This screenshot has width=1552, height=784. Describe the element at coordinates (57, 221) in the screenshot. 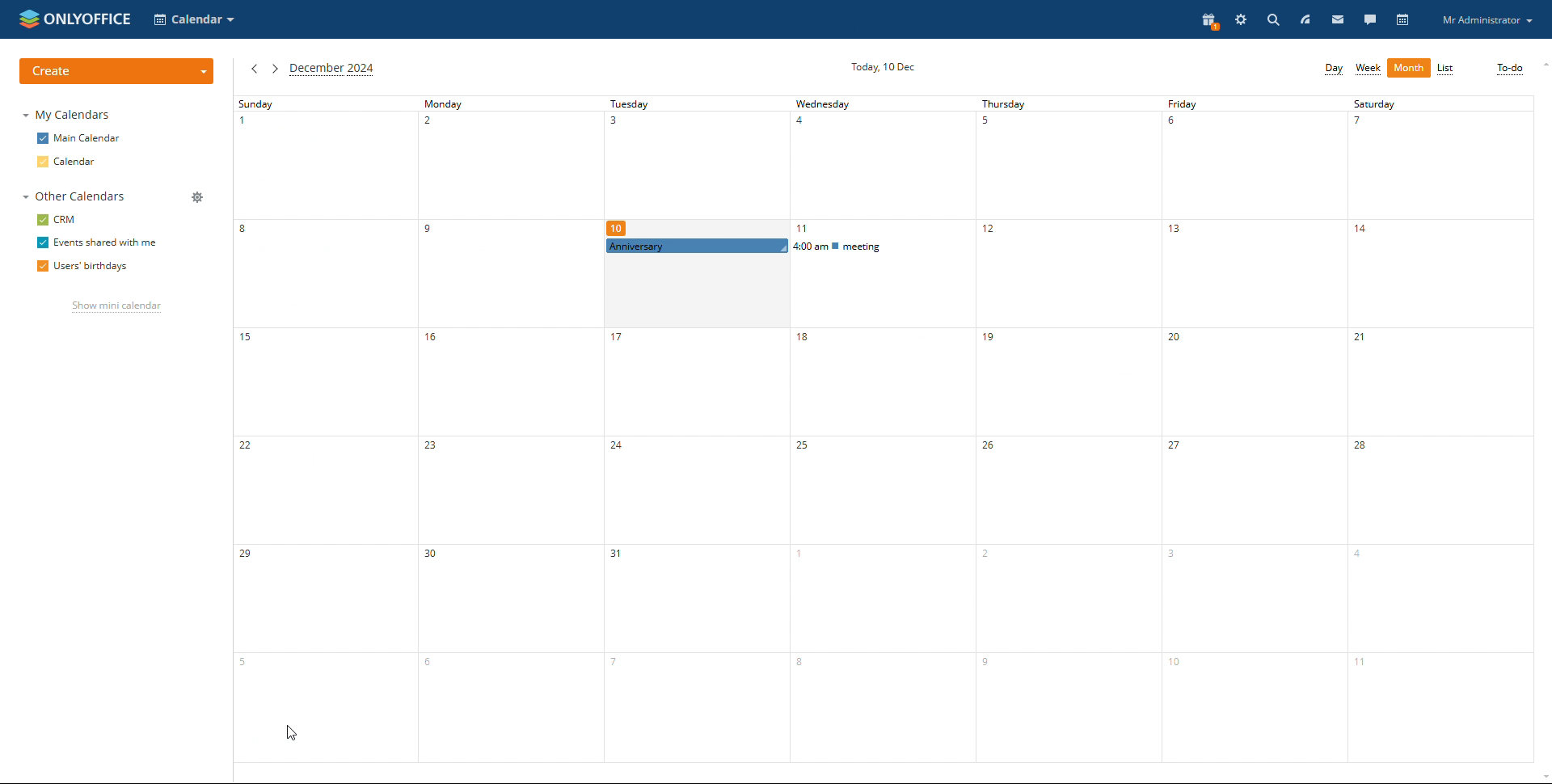

I see `crm` at that location.